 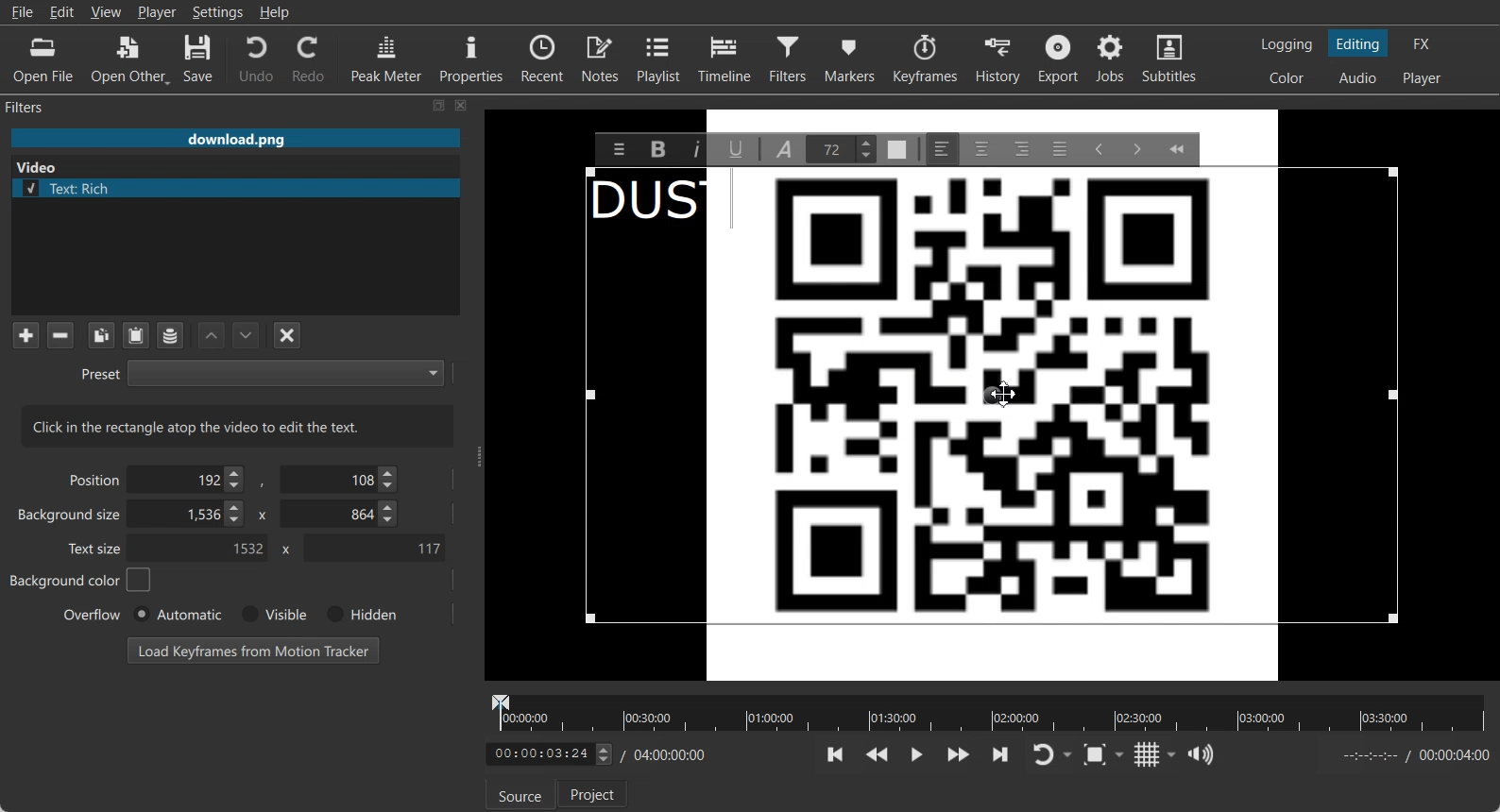 I want to click on Project, so click(x=594, y=793).